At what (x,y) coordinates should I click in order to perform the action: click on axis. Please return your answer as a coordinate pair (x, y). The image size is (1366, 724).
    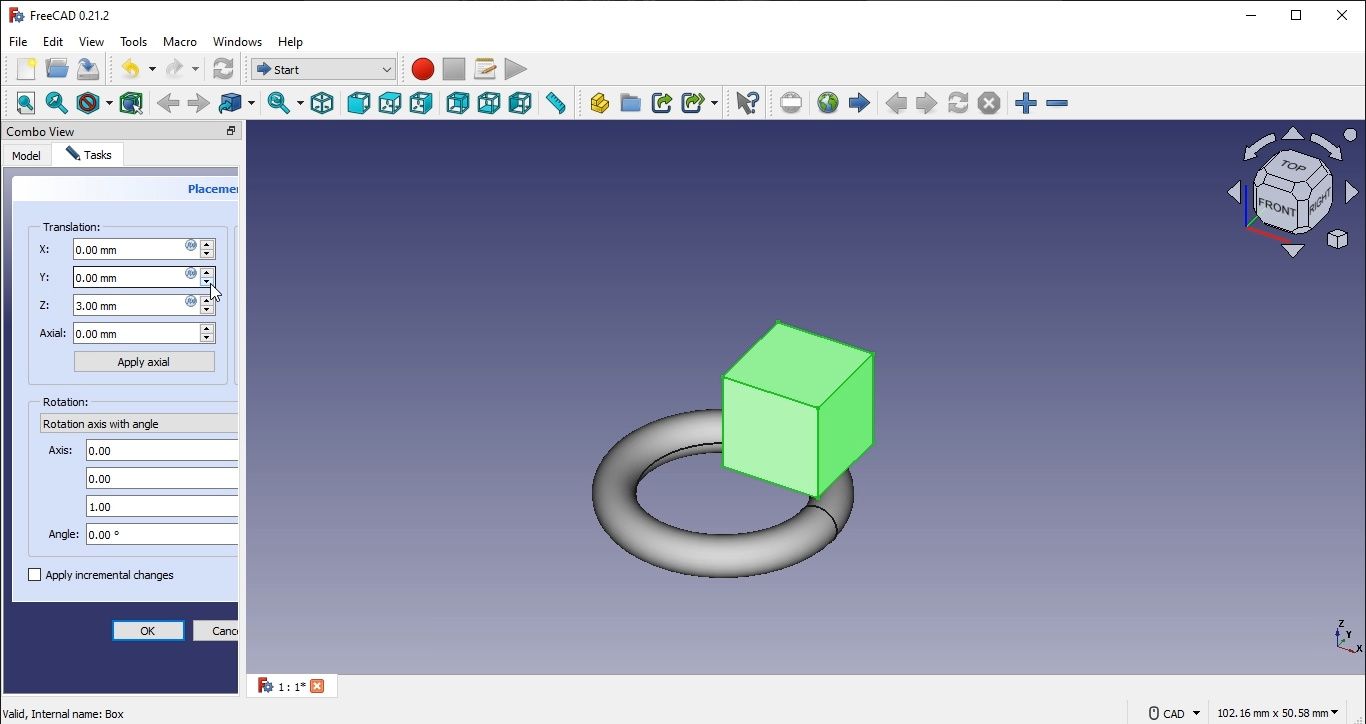
    Looking at the image, I should click on (161, 507).